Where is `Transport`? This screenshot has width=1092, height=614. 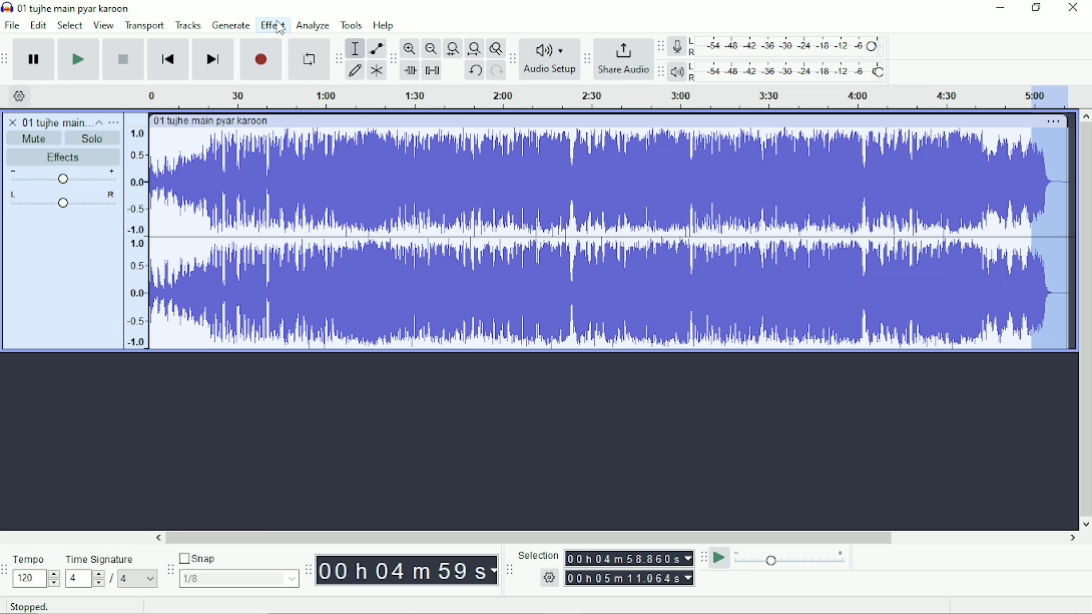 Transport is located at coordinates (144, 27).